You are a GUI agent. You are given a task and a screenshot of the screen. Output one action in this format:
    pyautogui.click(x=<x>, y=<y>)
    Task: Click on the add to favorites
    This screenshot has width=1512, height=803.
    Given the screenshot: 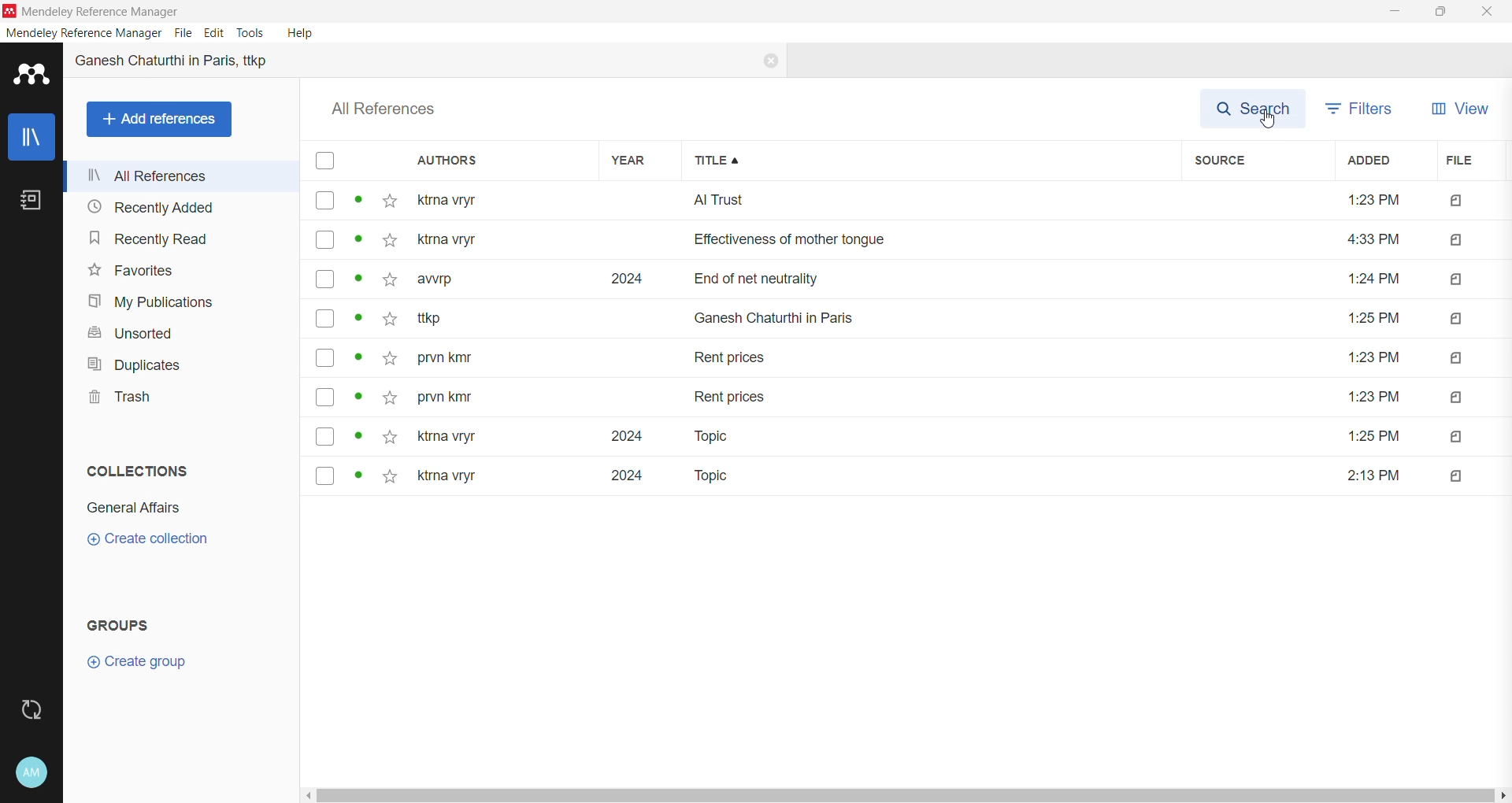 What is the action you would take?
    pyautogui.click(x=391, y=279)
    